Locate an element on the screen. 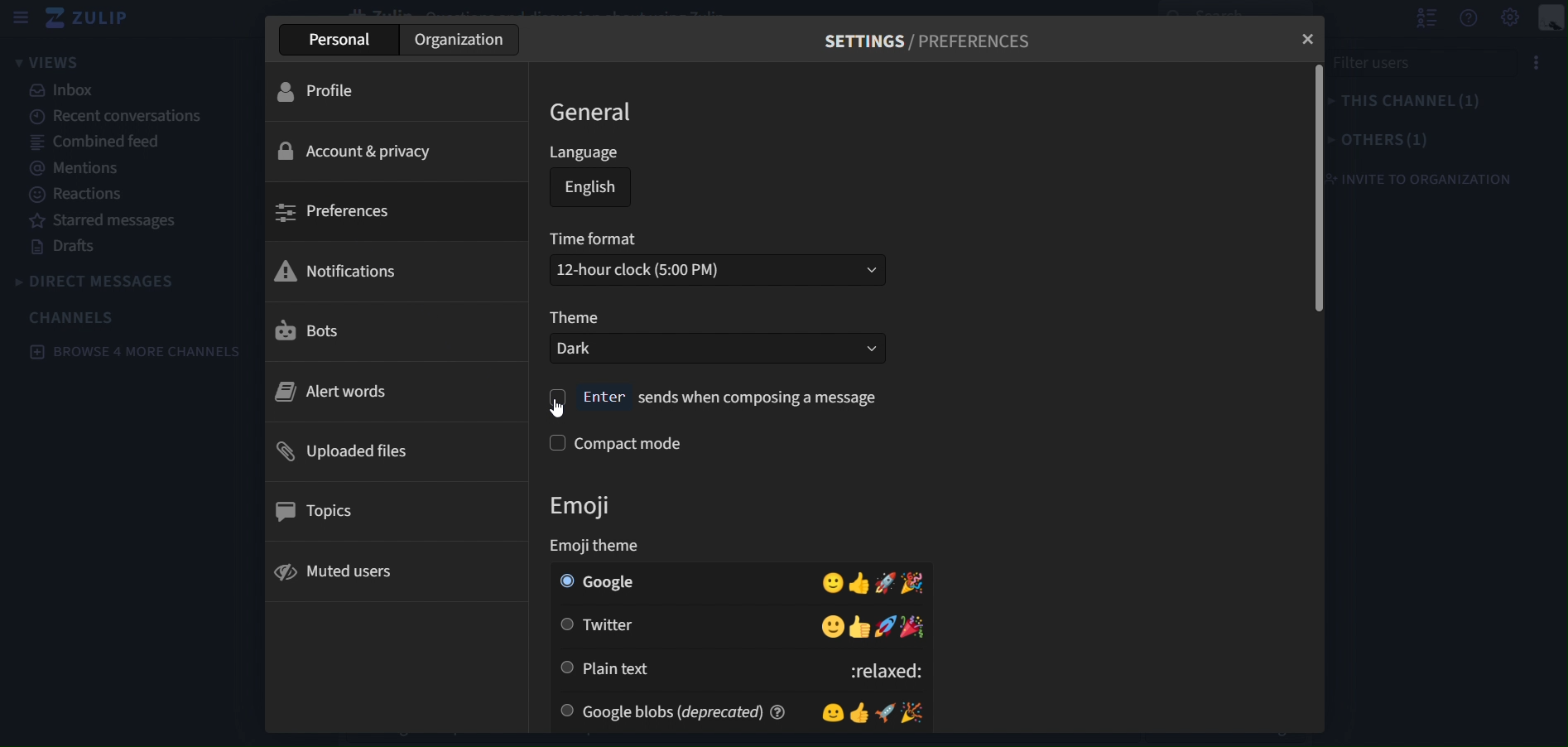  sidebar is located at coordinates (22, 17).